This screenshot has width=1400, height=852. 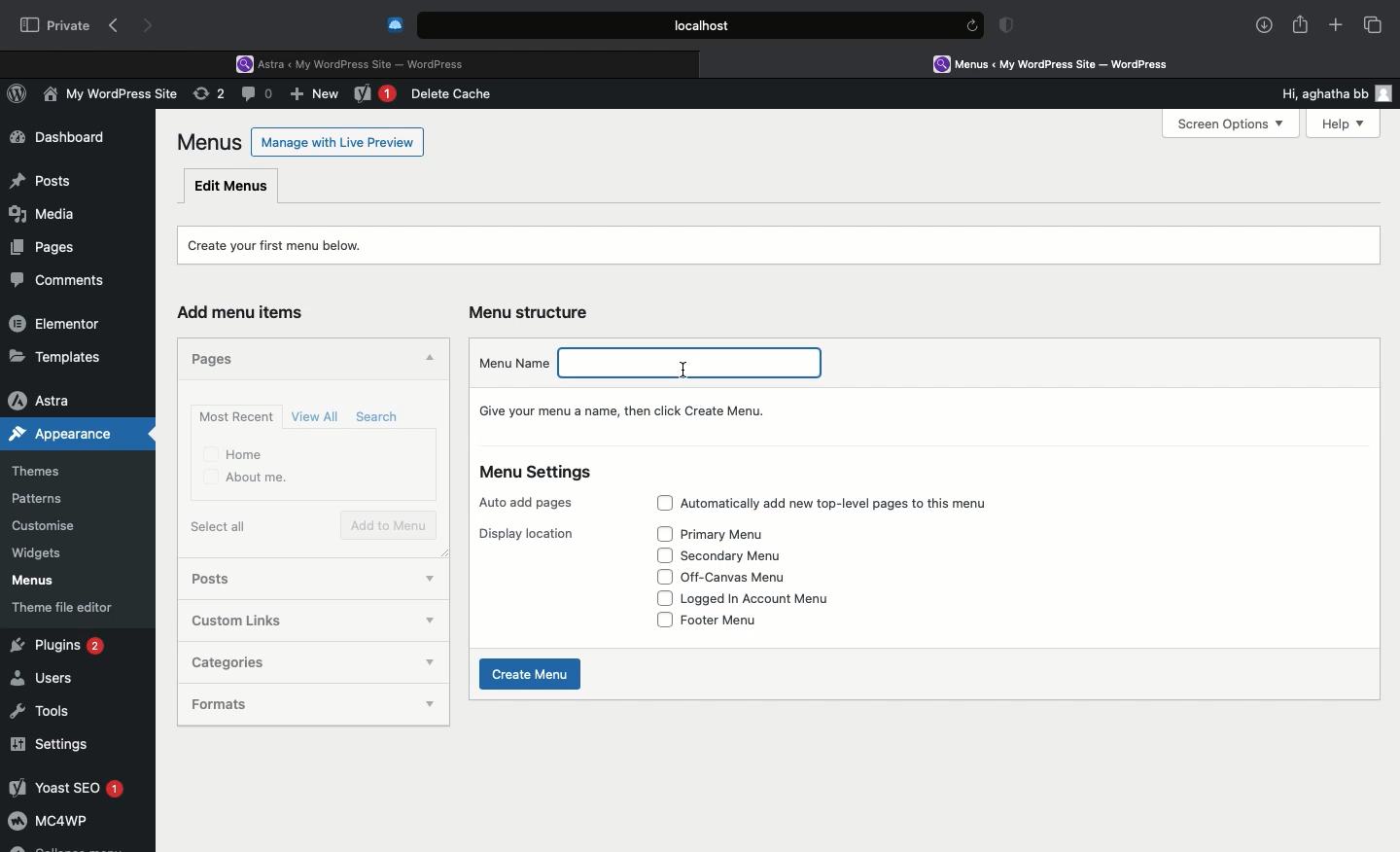 What do you see at coordinates (45, 500) in the screenshot?
I see `Patterns` at bounding box center [45, 500].